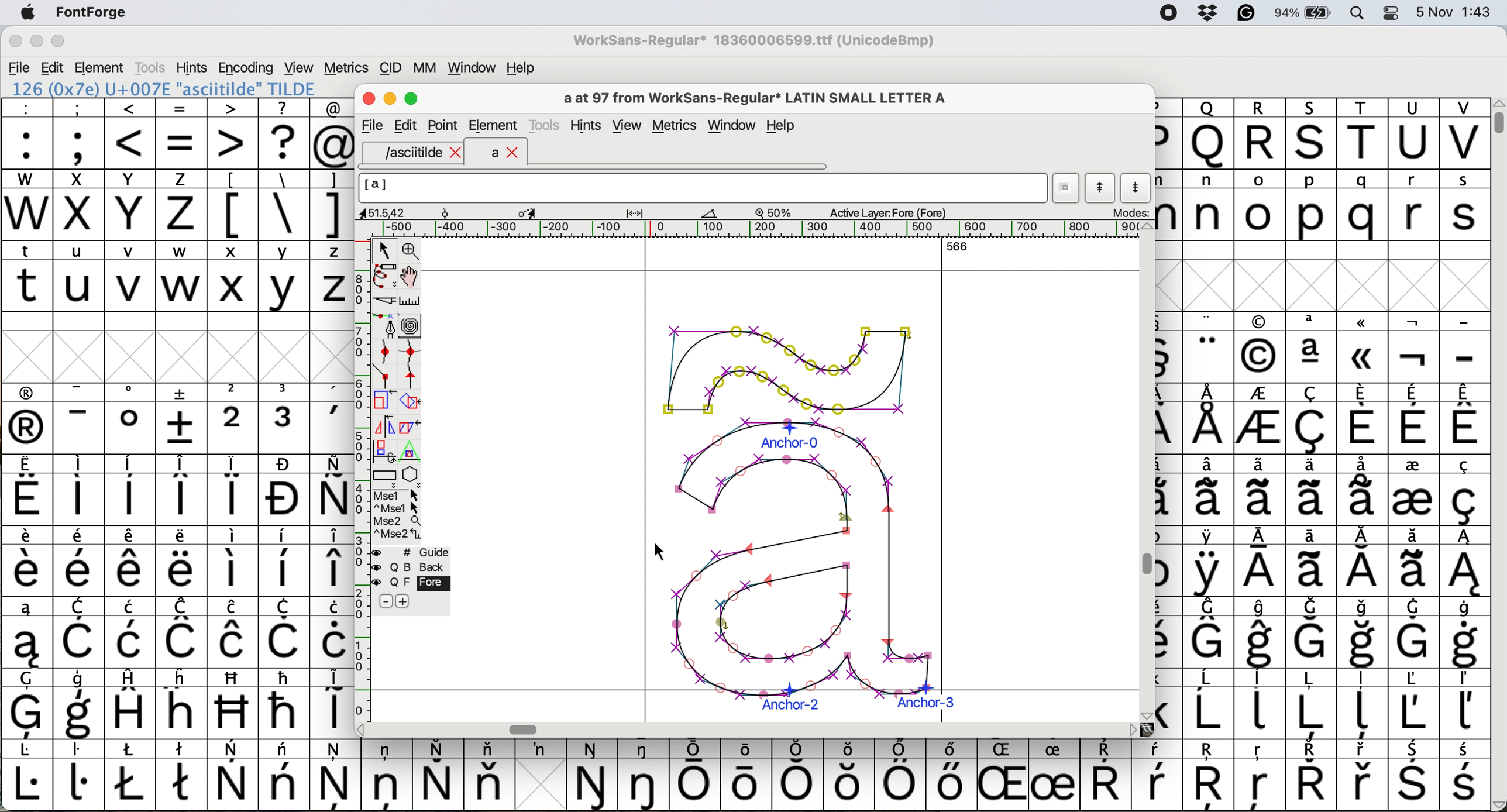 The width and height of the screenshot is (1507, 812). Describe the element at coordinates (1259, 348) in the screenshot. I see `` at that location.